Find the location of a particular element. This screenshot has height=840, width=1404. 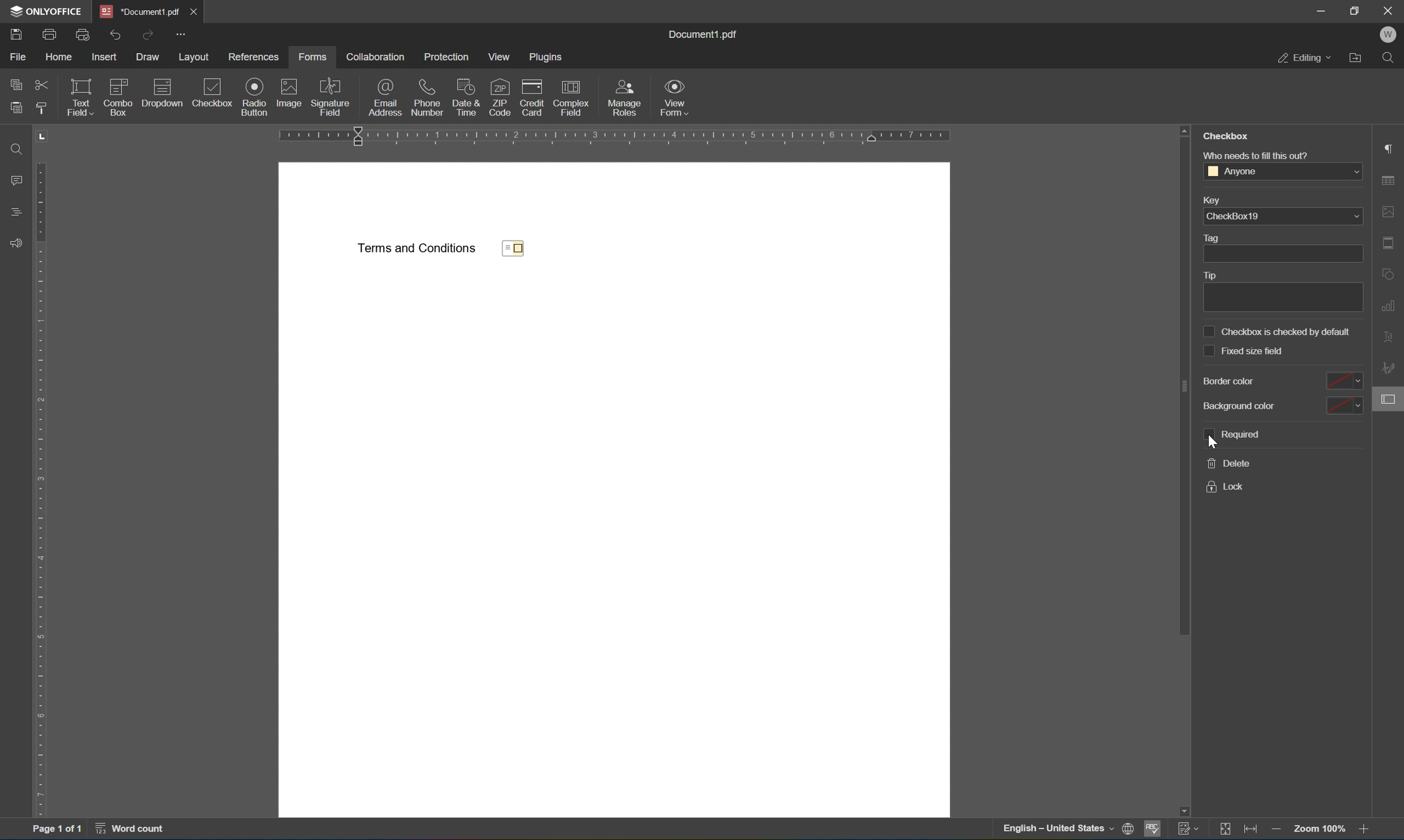

checkbox is located at coordinates (205, 93).